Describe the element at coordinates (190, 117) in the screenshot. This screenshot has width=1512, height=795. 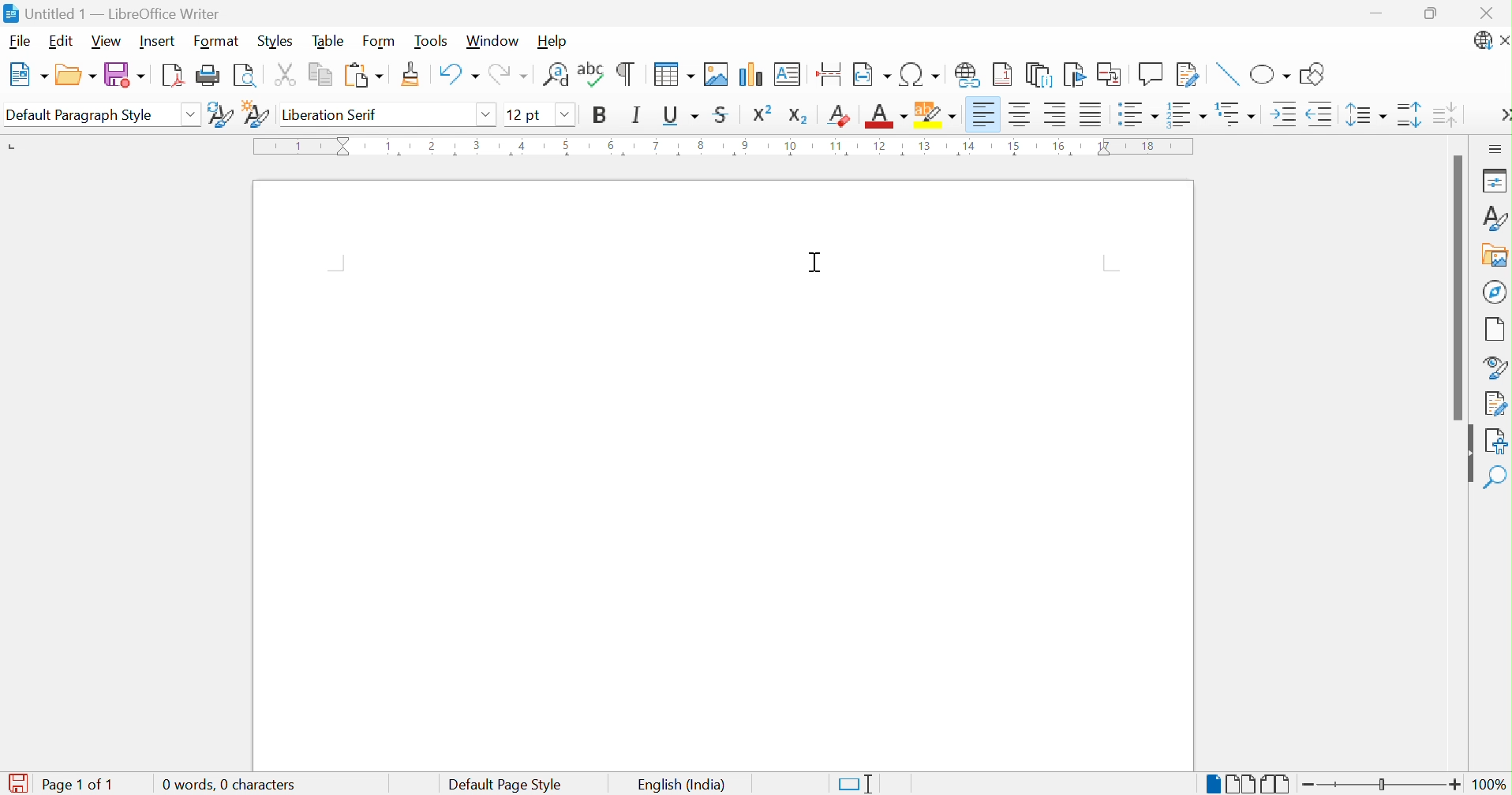
I see `Drop down` at that location.